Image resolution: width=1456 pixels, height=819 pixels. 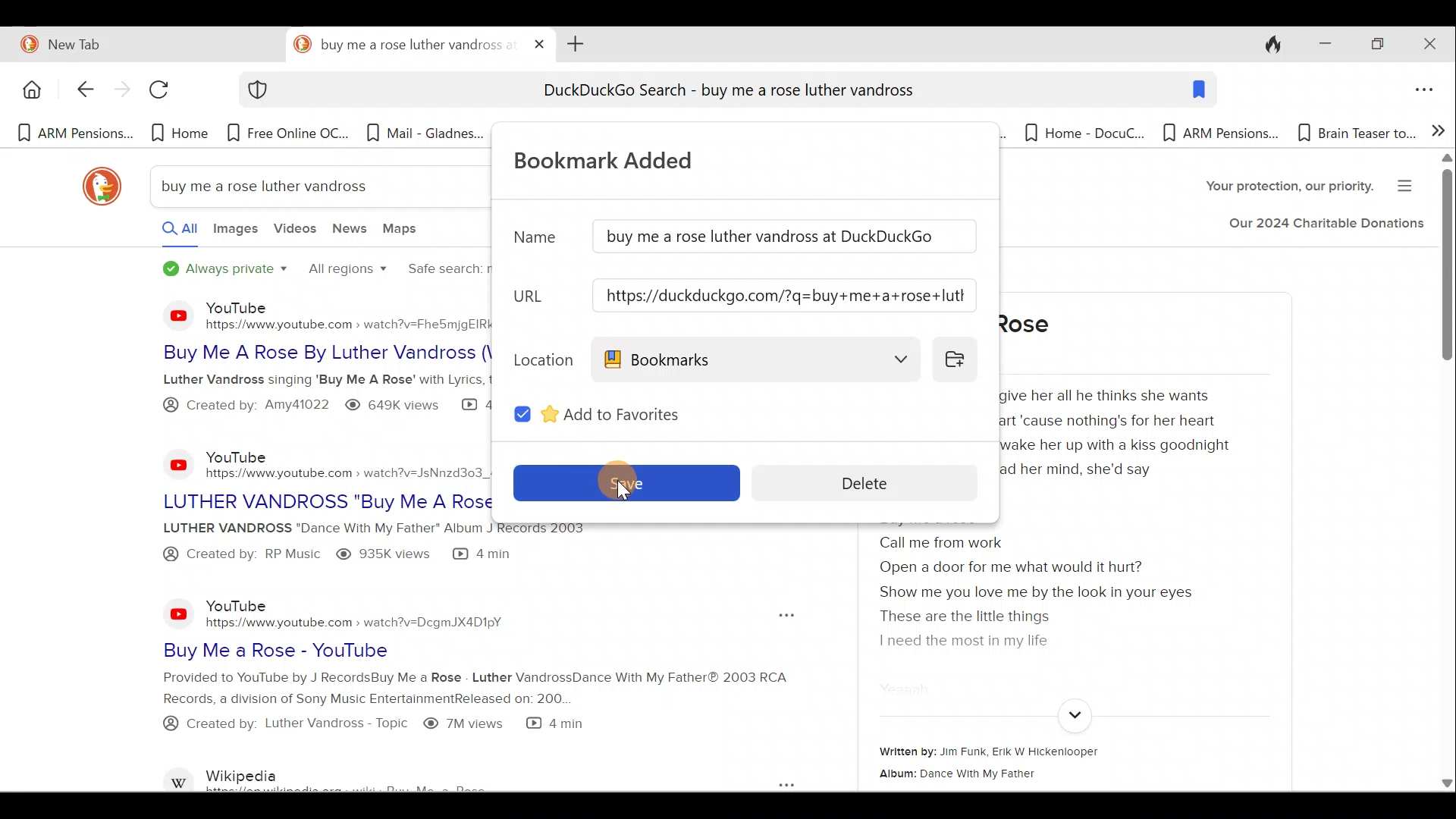 I want to click on New Tab, so click(x=140, y=42).